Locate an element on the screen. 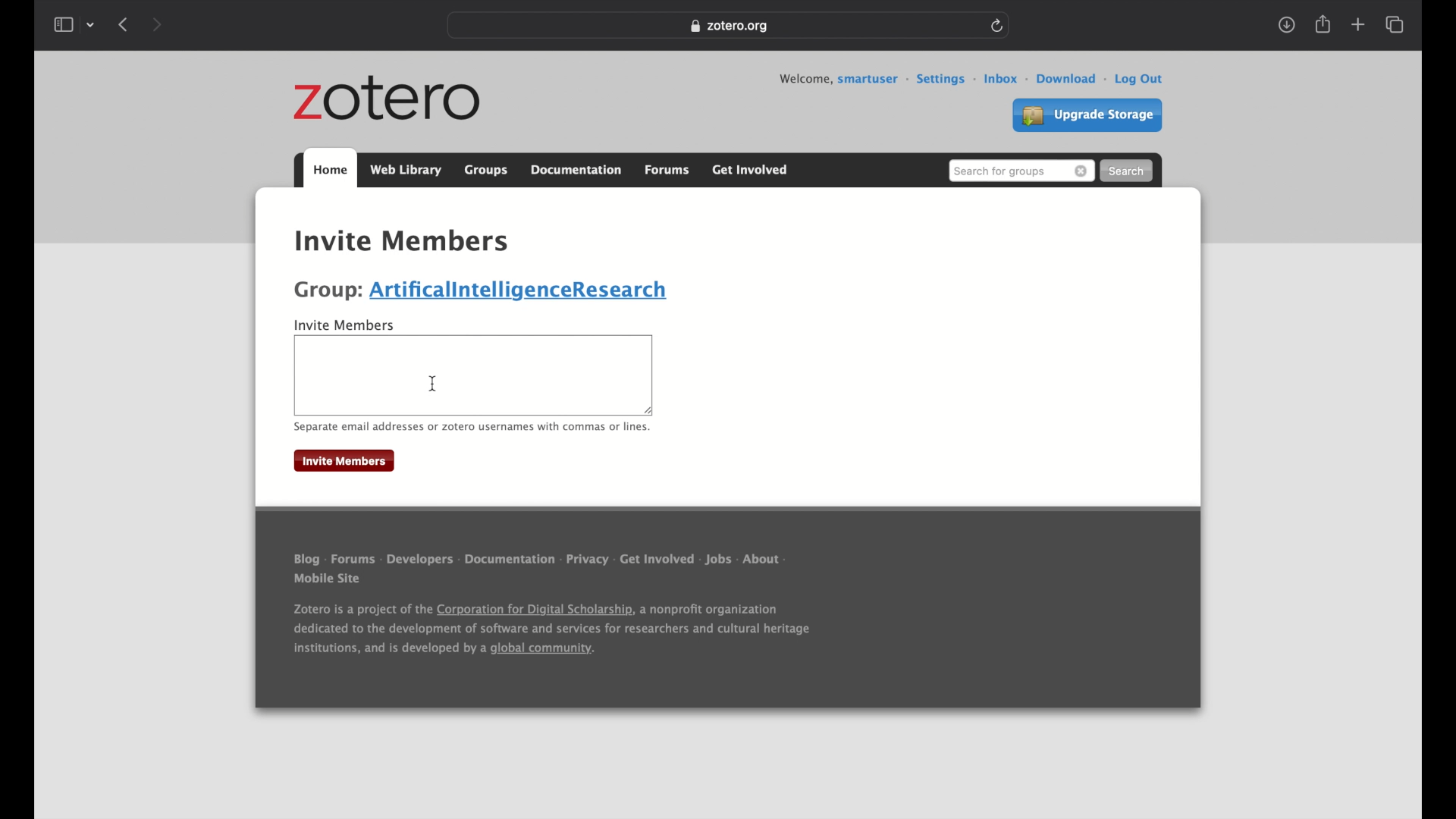 The width and height of the screenshot is (1456, 819). text cursor is located at coordinates (434, 384).